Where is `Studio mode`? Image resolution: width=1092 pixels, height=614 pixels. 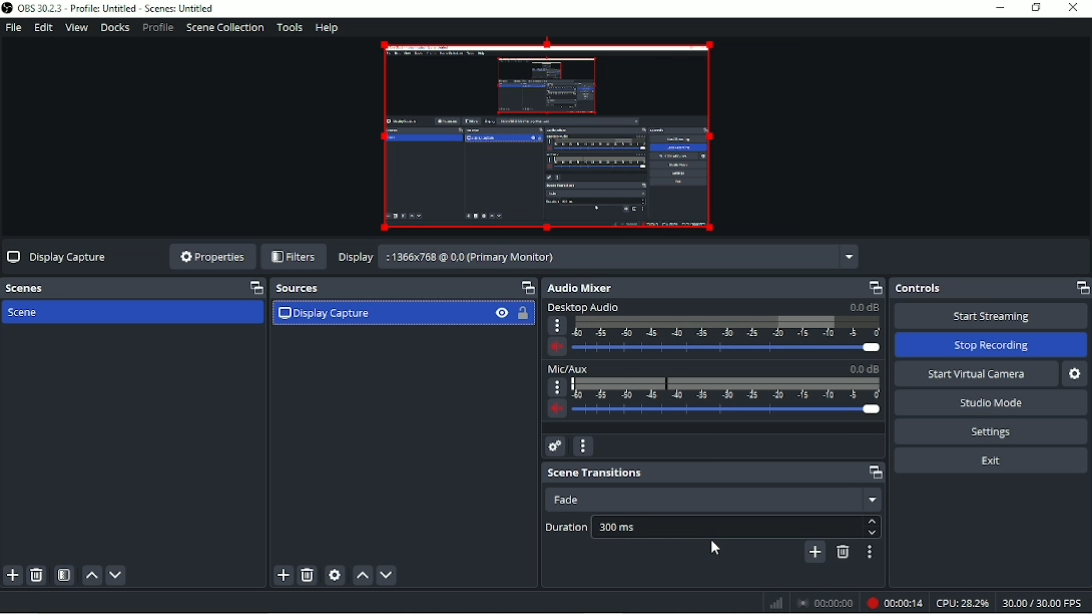
Studio mode is located at coordinates (993, 403).